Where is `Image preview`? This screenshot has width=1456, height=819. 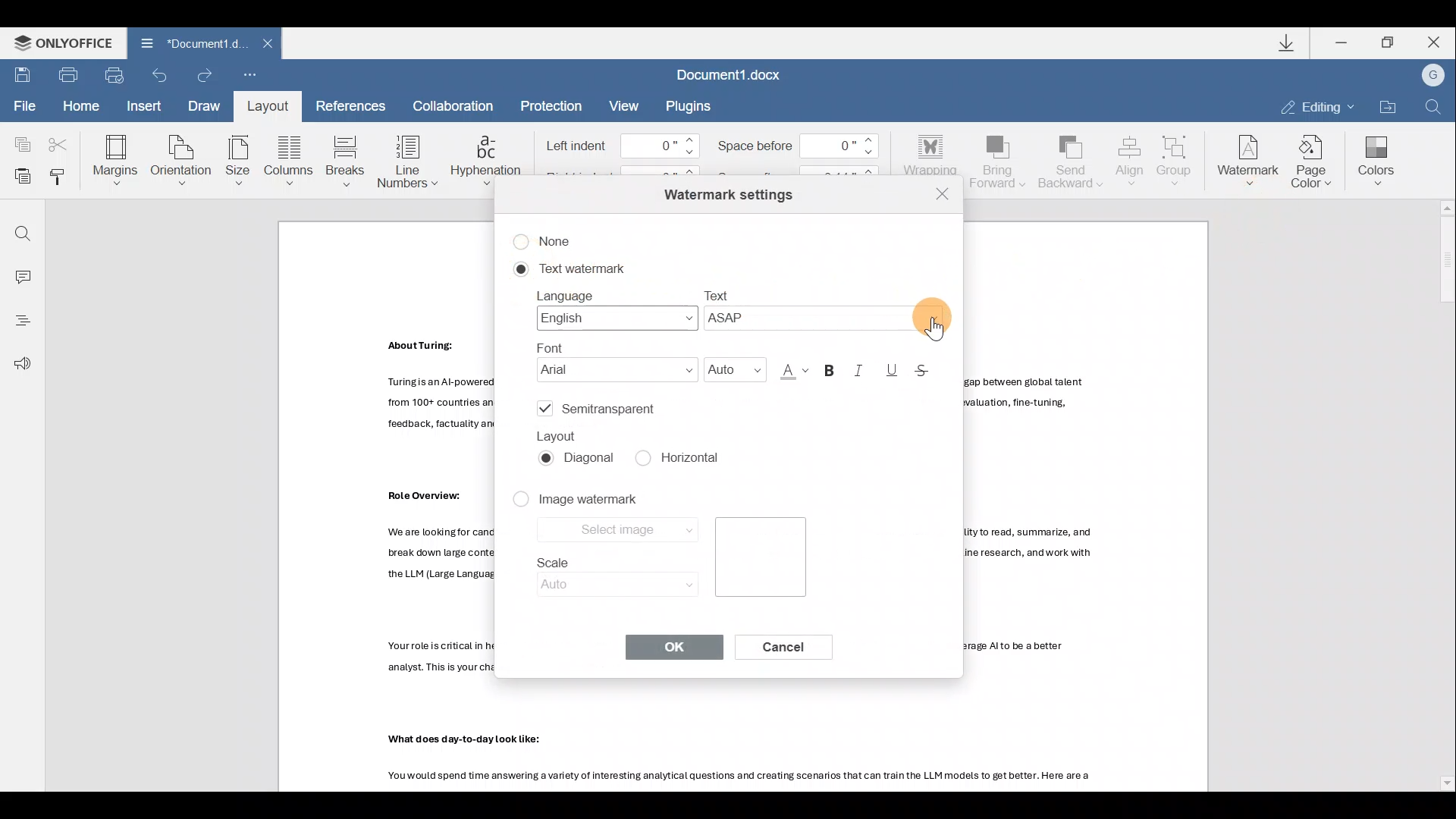 Image preview is located at coordinates (761, 560).